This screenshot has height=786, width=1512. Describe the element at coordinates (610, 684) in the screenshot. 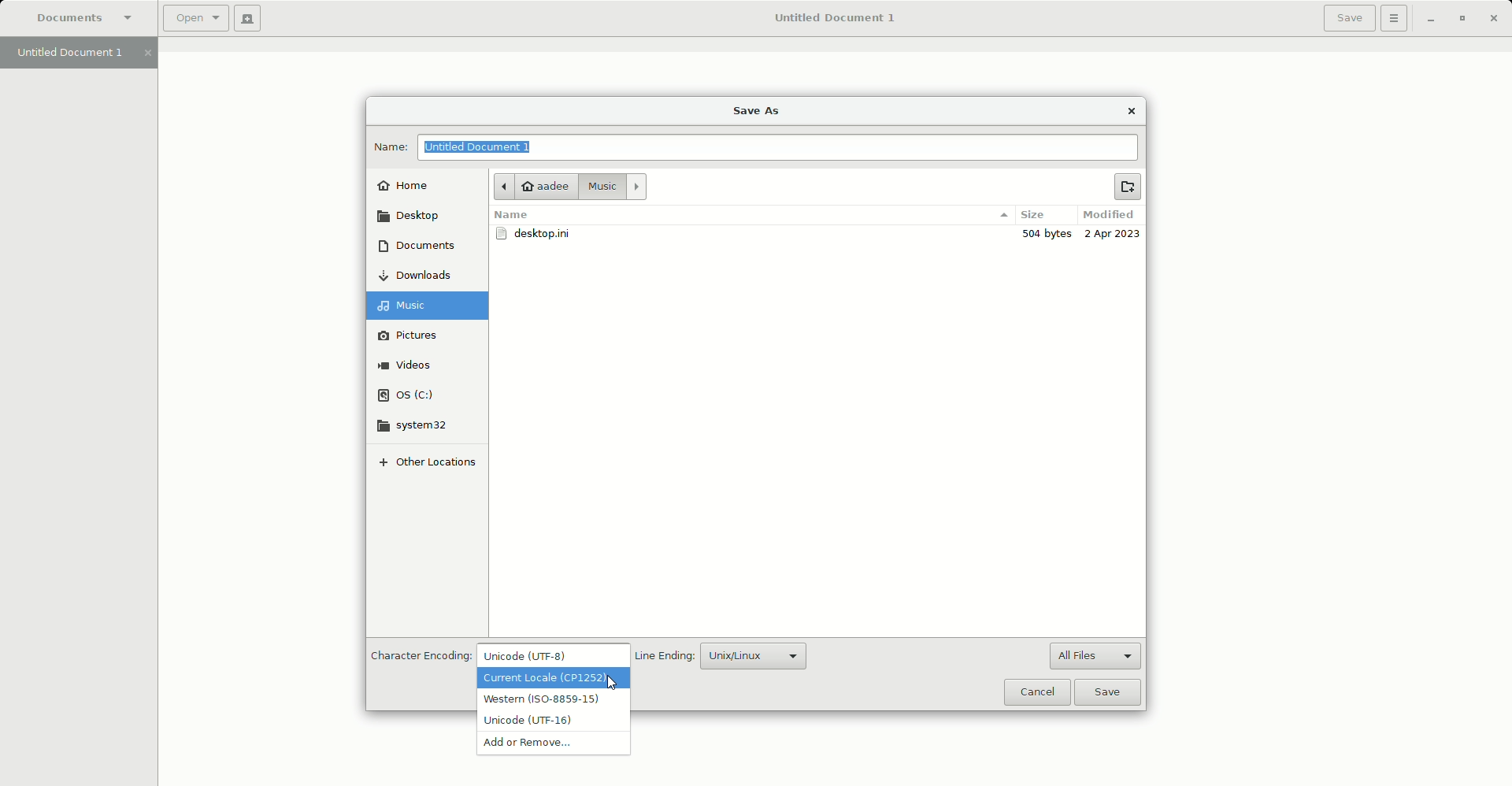

I see `Cursor` at that location.